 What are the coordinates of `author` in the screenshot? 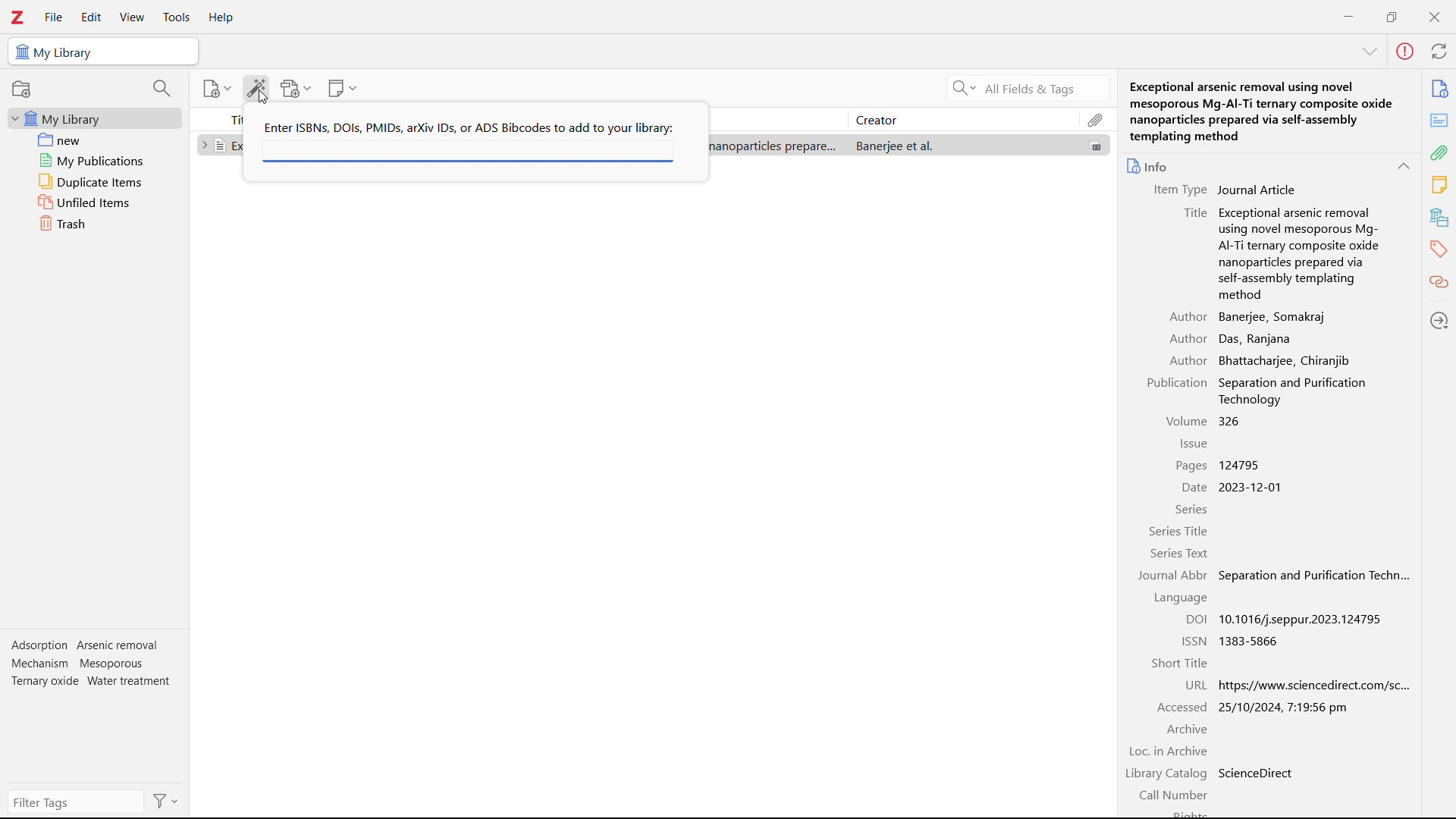 It's located at (1188, 339).